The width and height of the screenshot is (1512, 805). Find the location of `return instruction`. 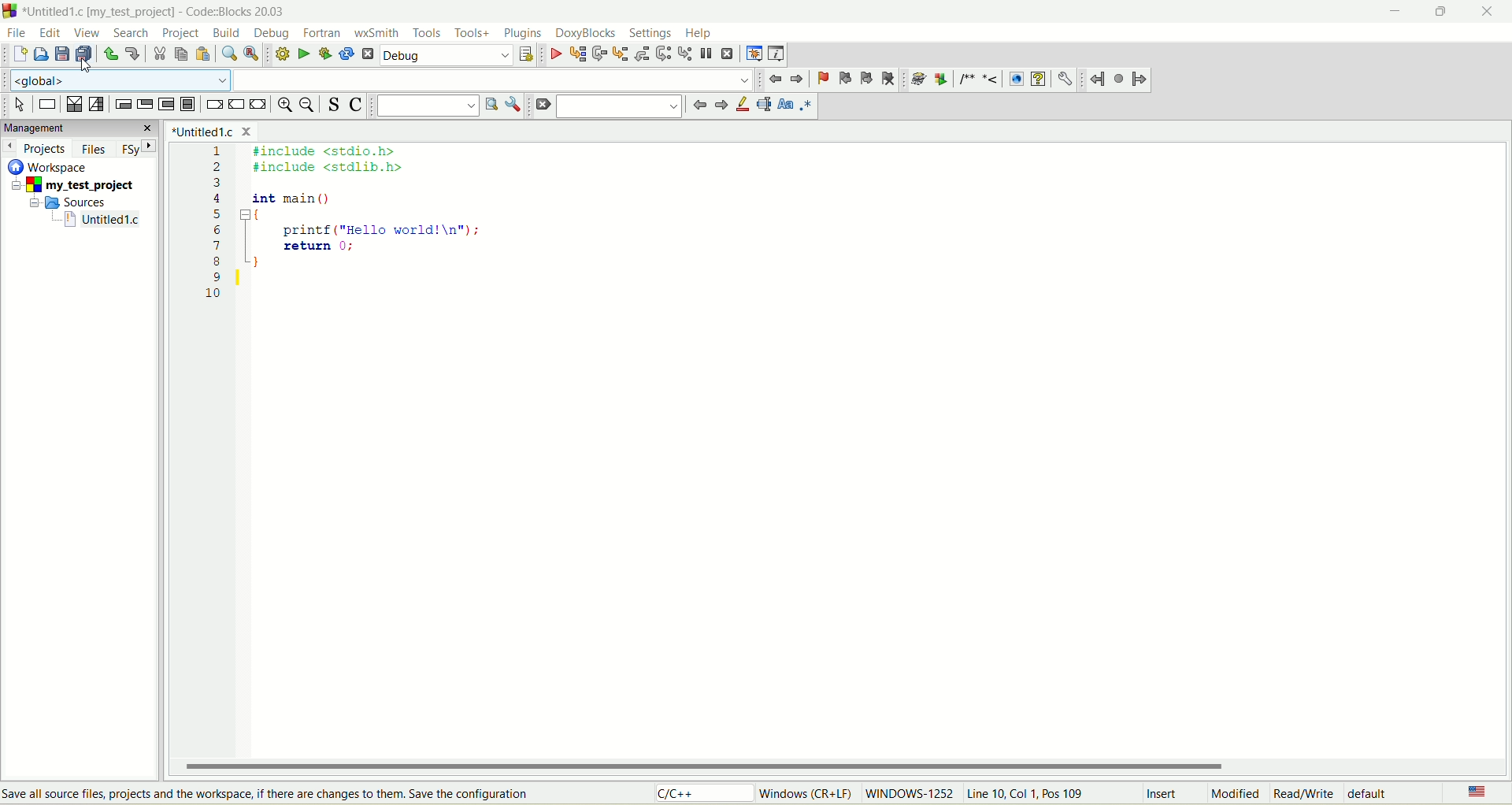

return instruction is located at coordinates (261, 104).